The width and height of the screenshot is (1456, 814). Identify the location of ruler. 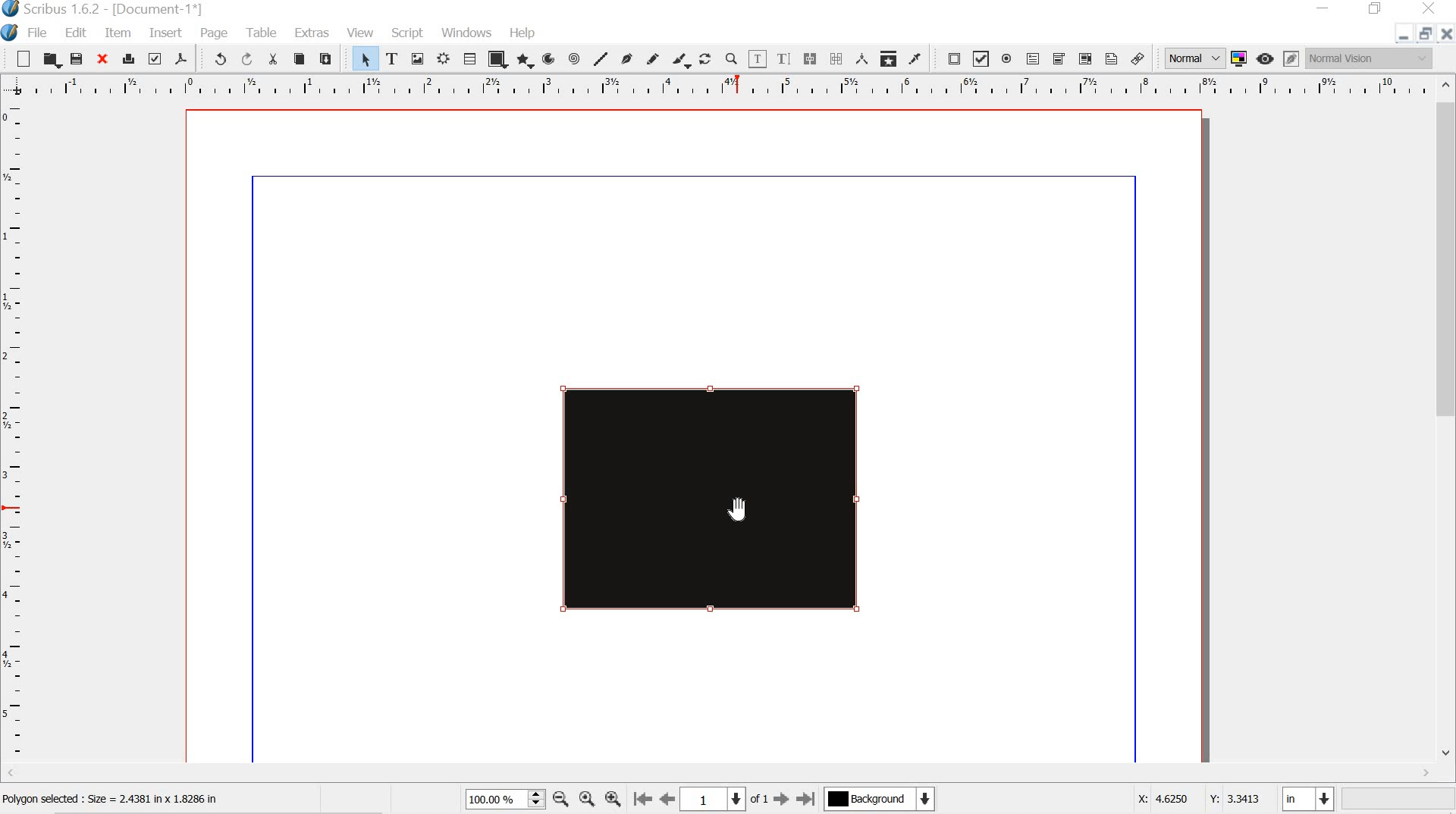
(715, 86).